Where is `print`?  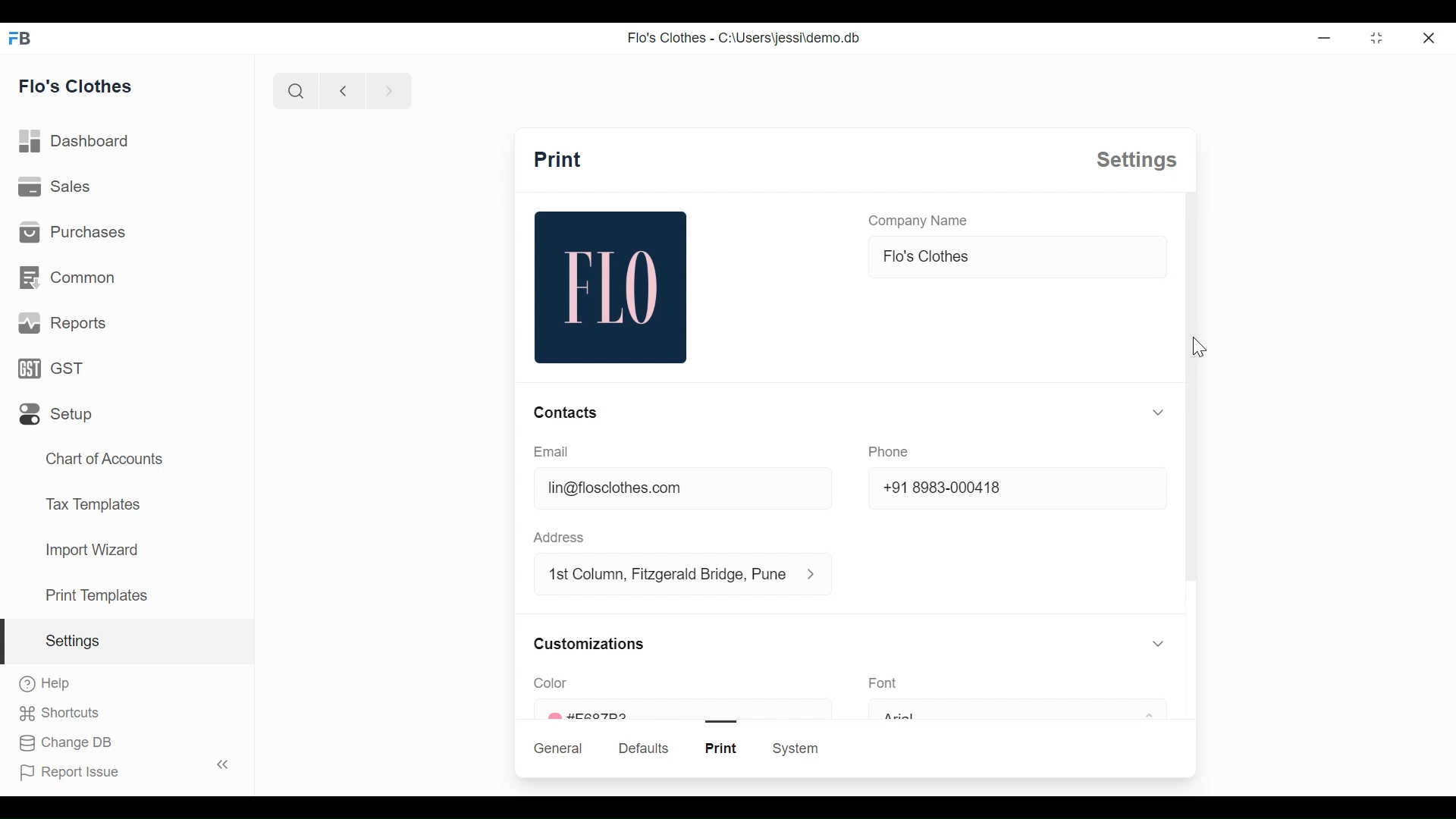
print is located at coordinates (722, 748).